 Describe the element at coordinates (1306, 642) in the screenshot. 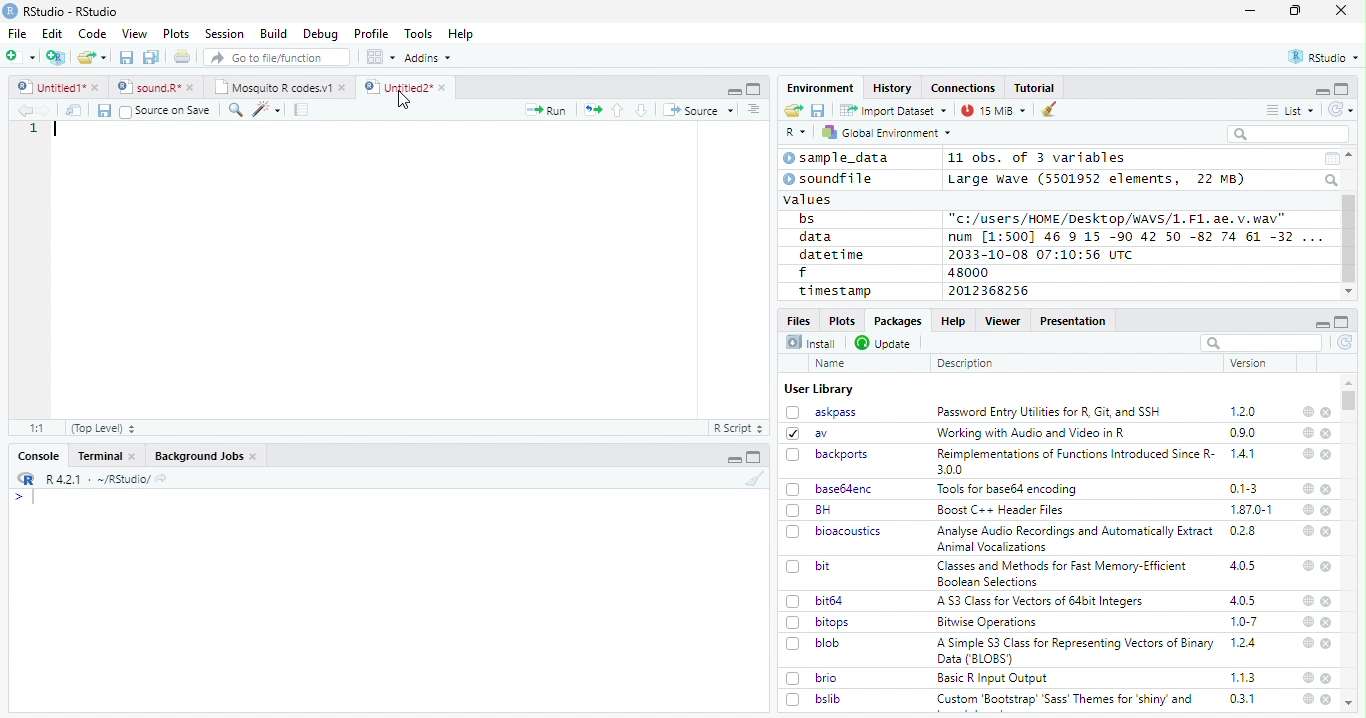

I see `help` at that location.